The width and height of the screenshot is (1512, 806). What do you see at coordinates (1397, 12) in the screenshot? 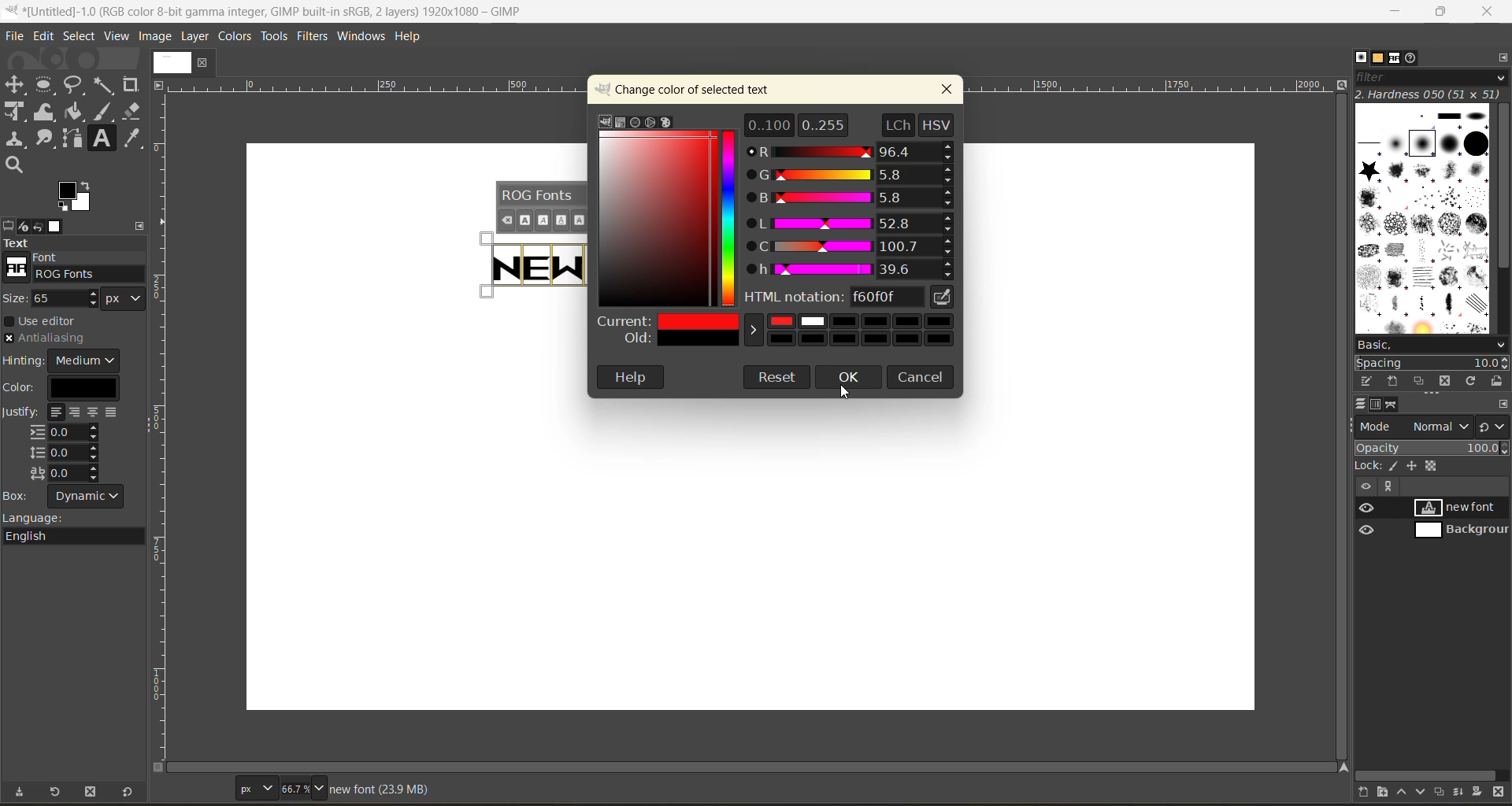
I see `minimize` at bounding box center [1397, 12].